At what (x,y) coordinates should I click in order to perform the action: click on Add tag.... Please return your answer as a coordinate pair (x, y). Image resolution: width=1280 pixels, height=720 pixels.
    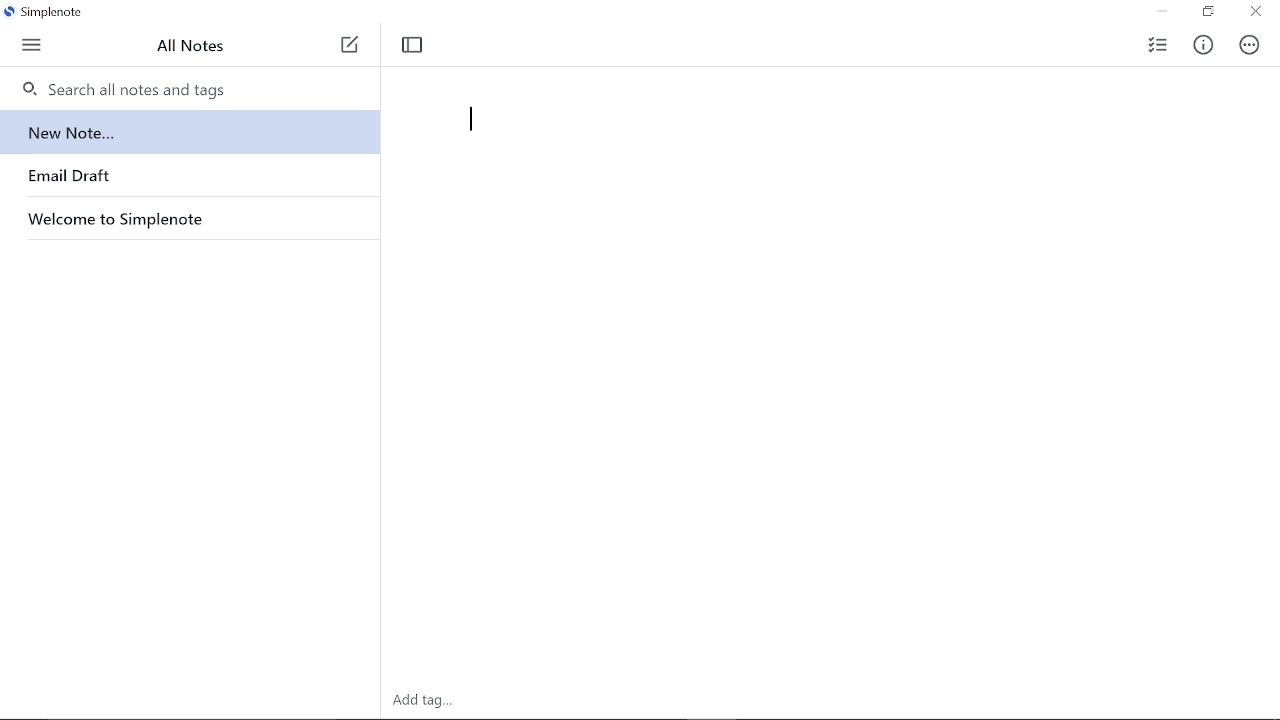
    Looking at the image, I should click on (423, 701).